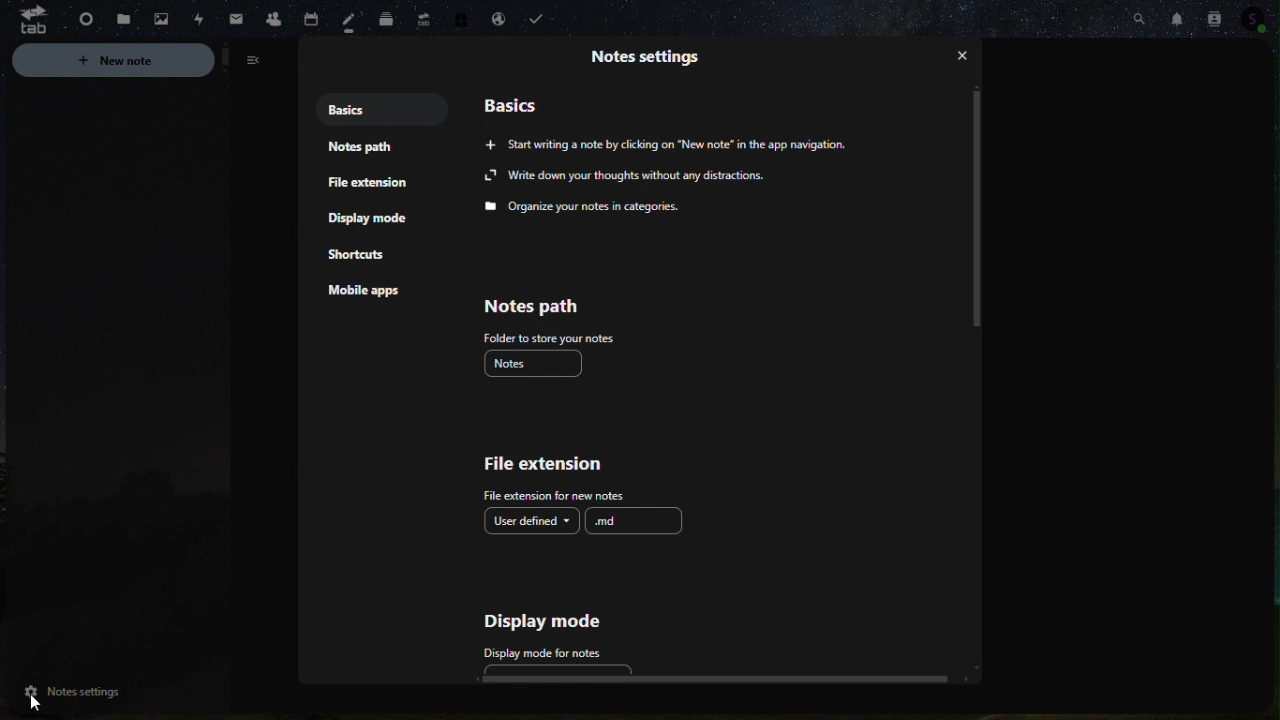 The image size is (1280, 720). What do you see at coordinates (349, 21) in the screenshot?
I see `Notes` at bounding box center [349, 21].